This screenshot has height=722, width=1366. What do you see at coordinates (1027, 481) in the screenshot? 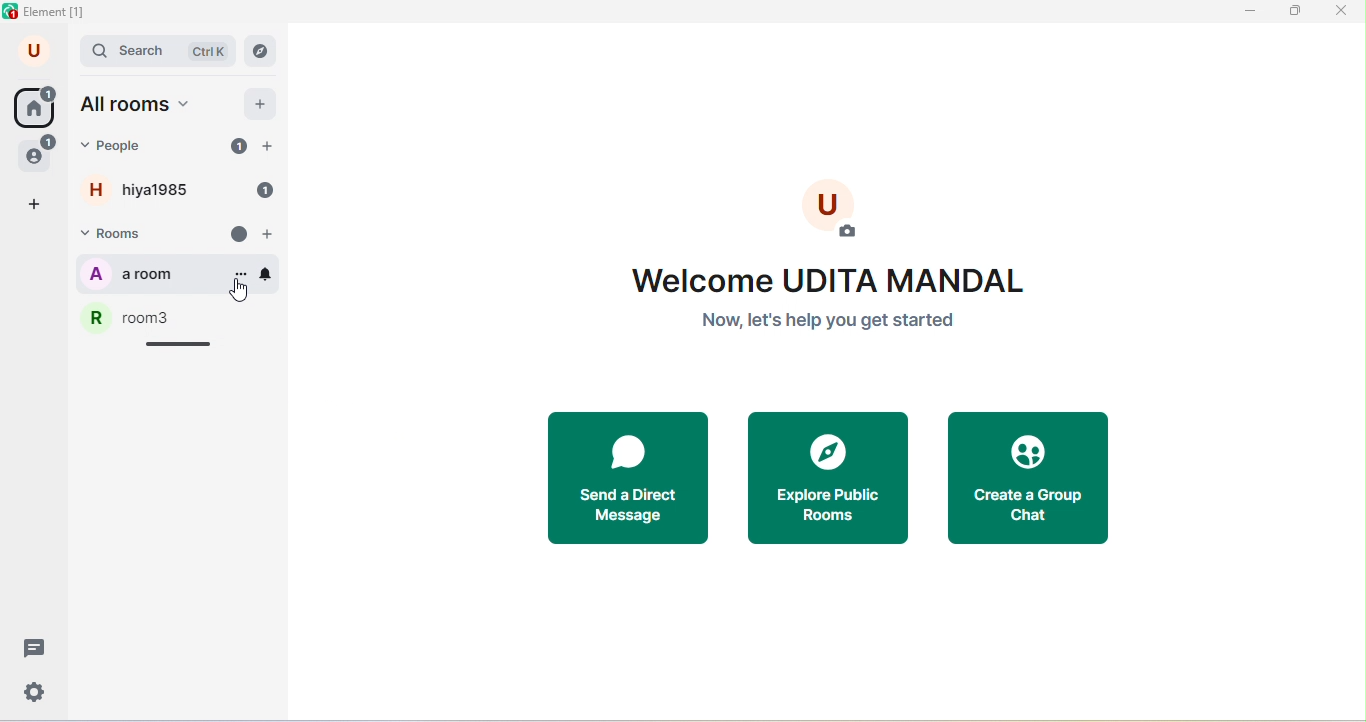
I see `create a group chat` at bounding box center [1027, 481].